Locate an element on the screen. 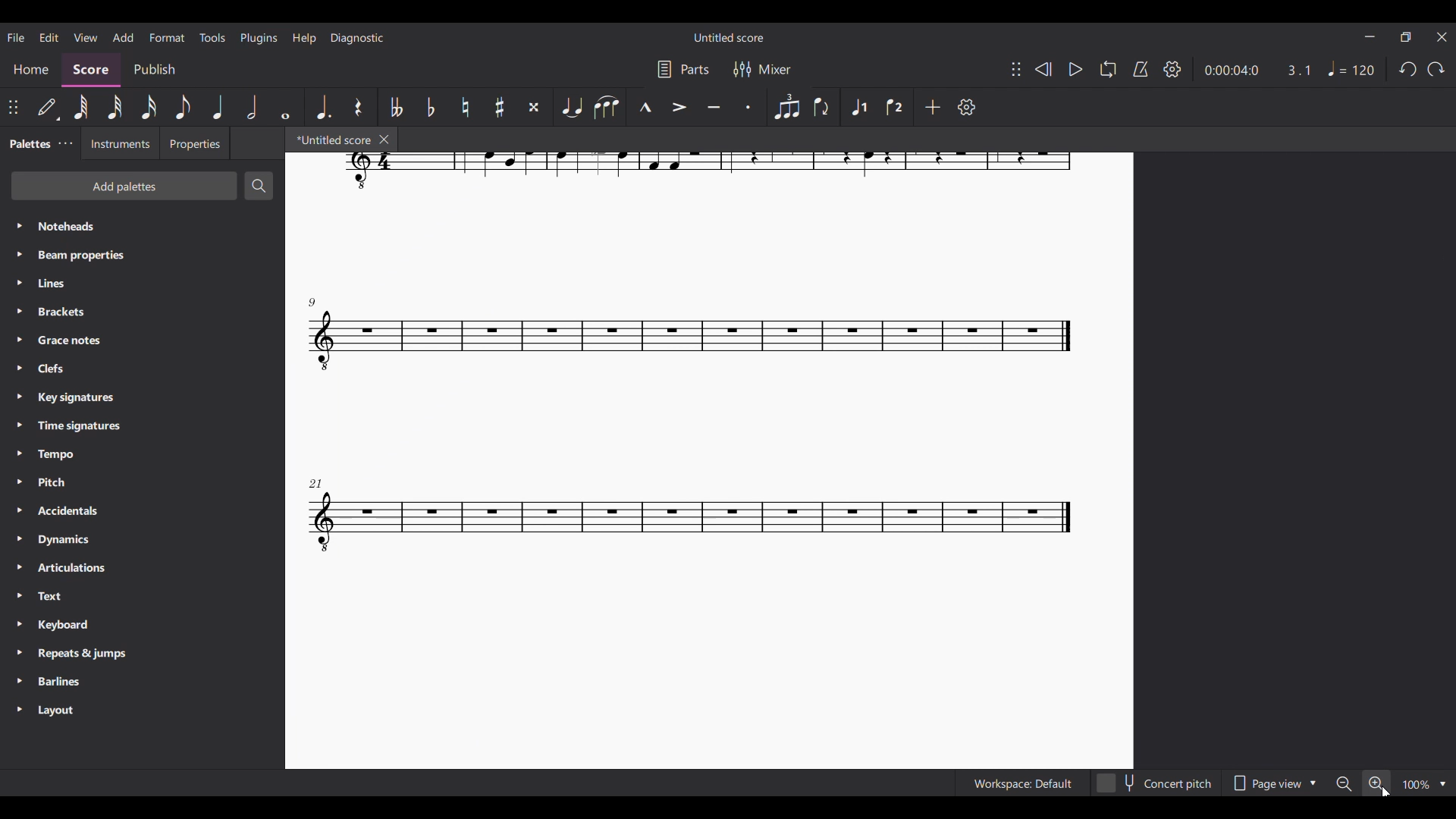 The width and height of the screenshot is (1456, 819). Layout is located at coordinates (142, 709).